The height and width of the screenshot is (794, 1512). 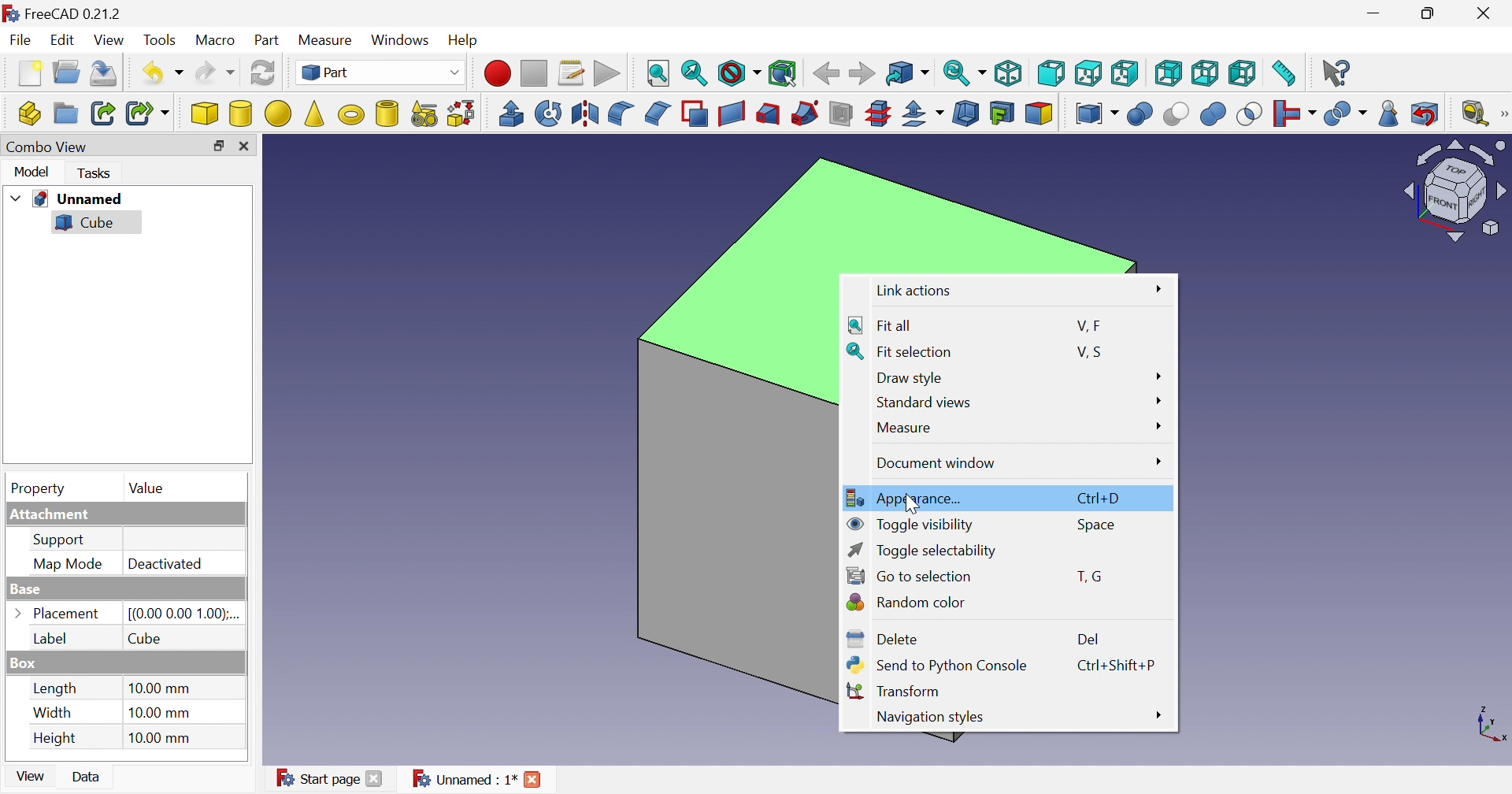 What do you see at coordinates (111, 40) in the screenshot?
I see `View` at bounding box center [111, 40].